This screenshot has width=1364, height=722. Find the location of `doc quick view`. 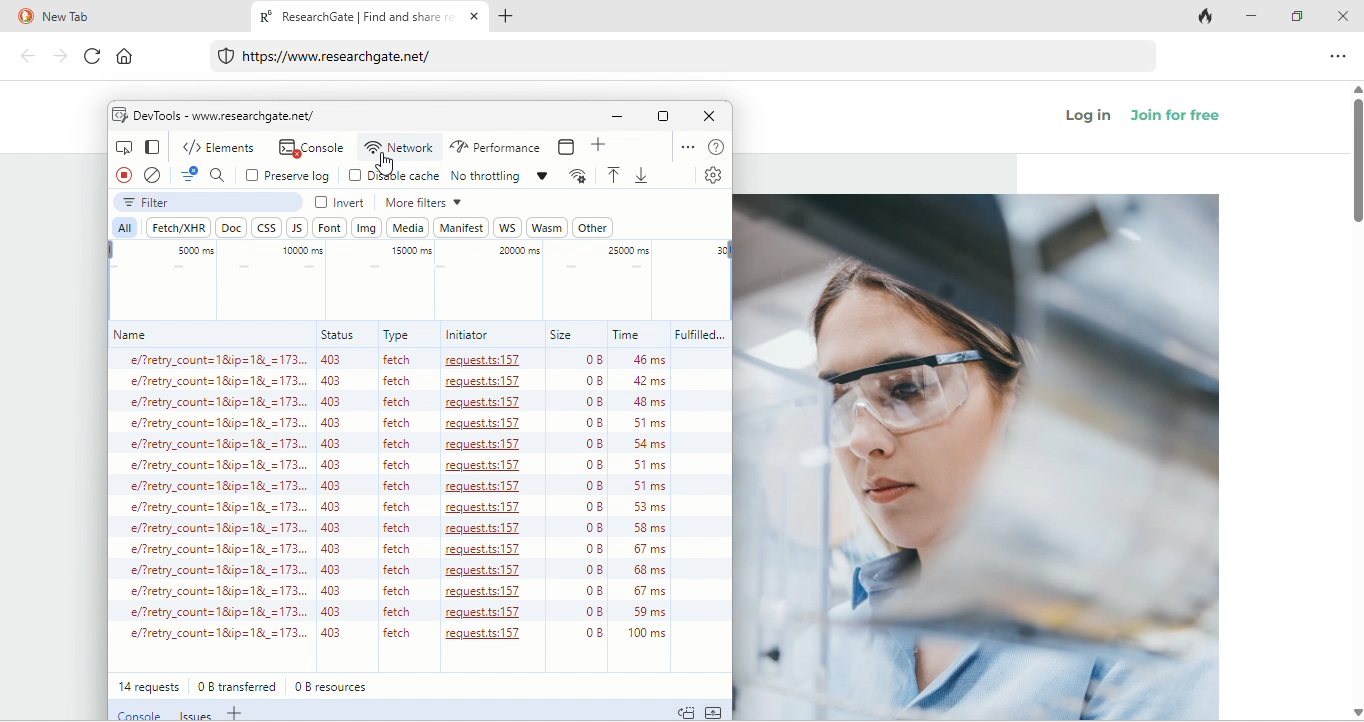

doc quick view is located at coordinates (686, 711).